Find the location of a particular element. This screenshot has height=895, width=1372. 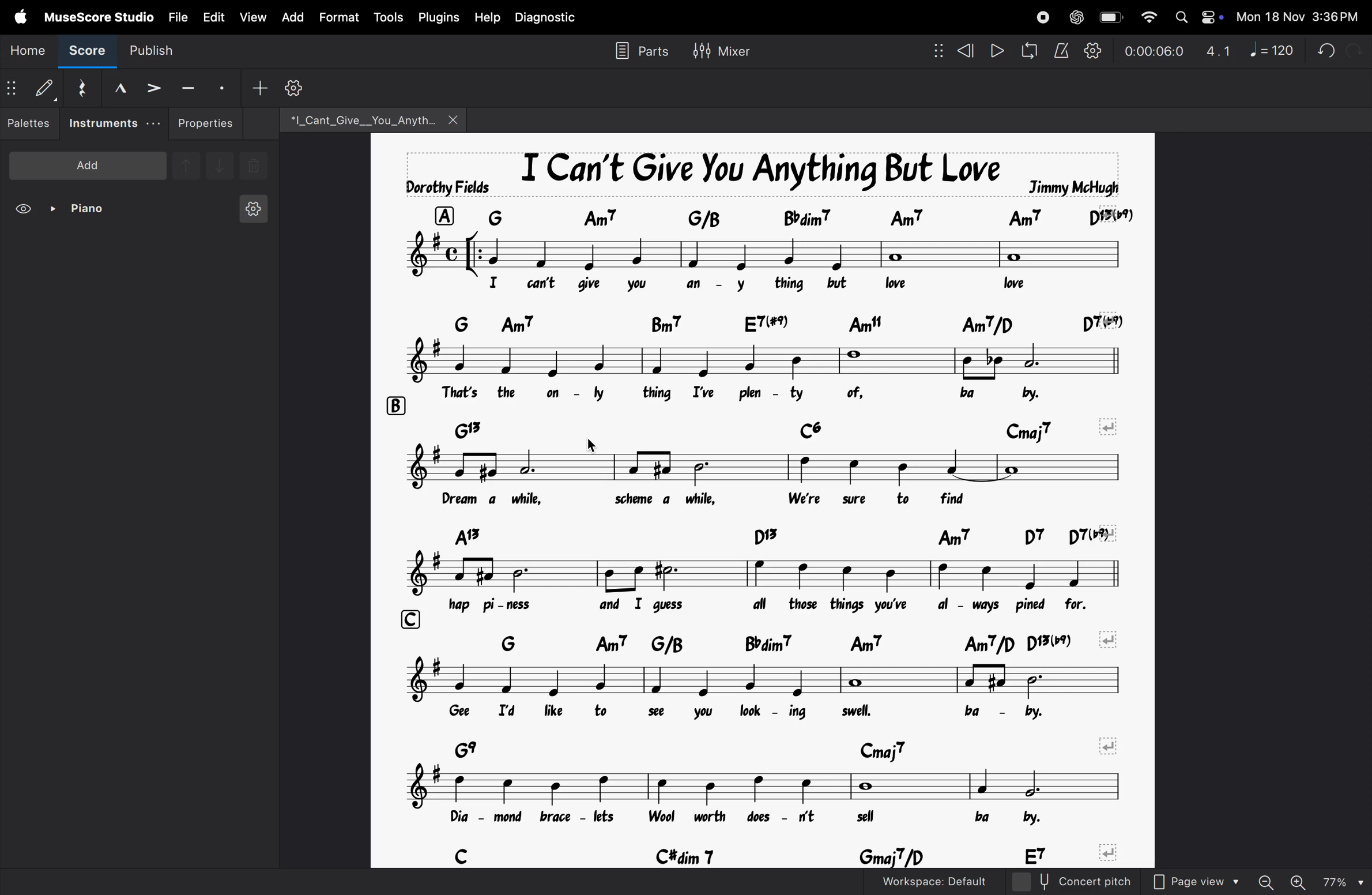

lyrics is located at coordinates (789, 818).